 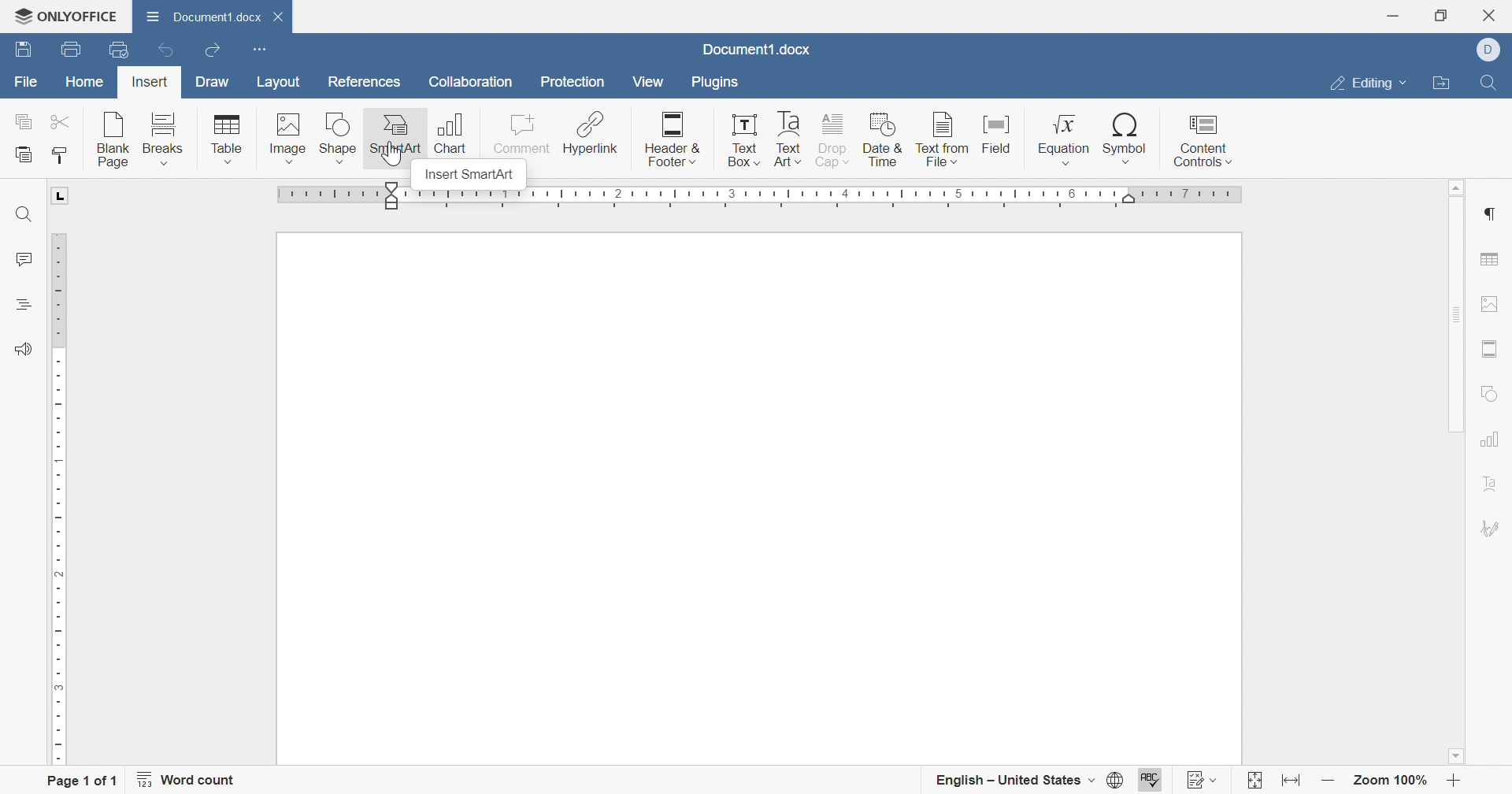 I want to click on Image settings, so click(x=1491, y=303).